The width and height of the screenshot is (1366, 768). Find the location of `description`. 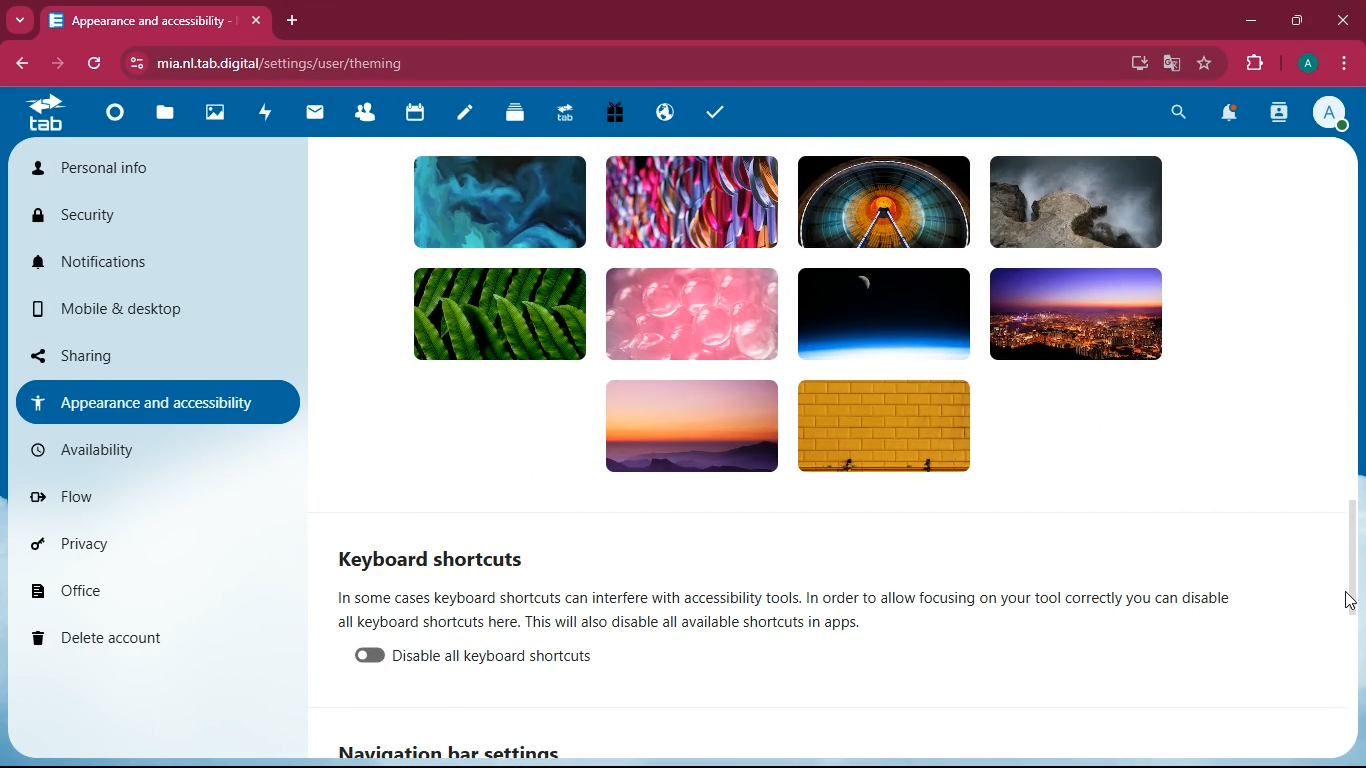

description is located at coordinates (810, 609).